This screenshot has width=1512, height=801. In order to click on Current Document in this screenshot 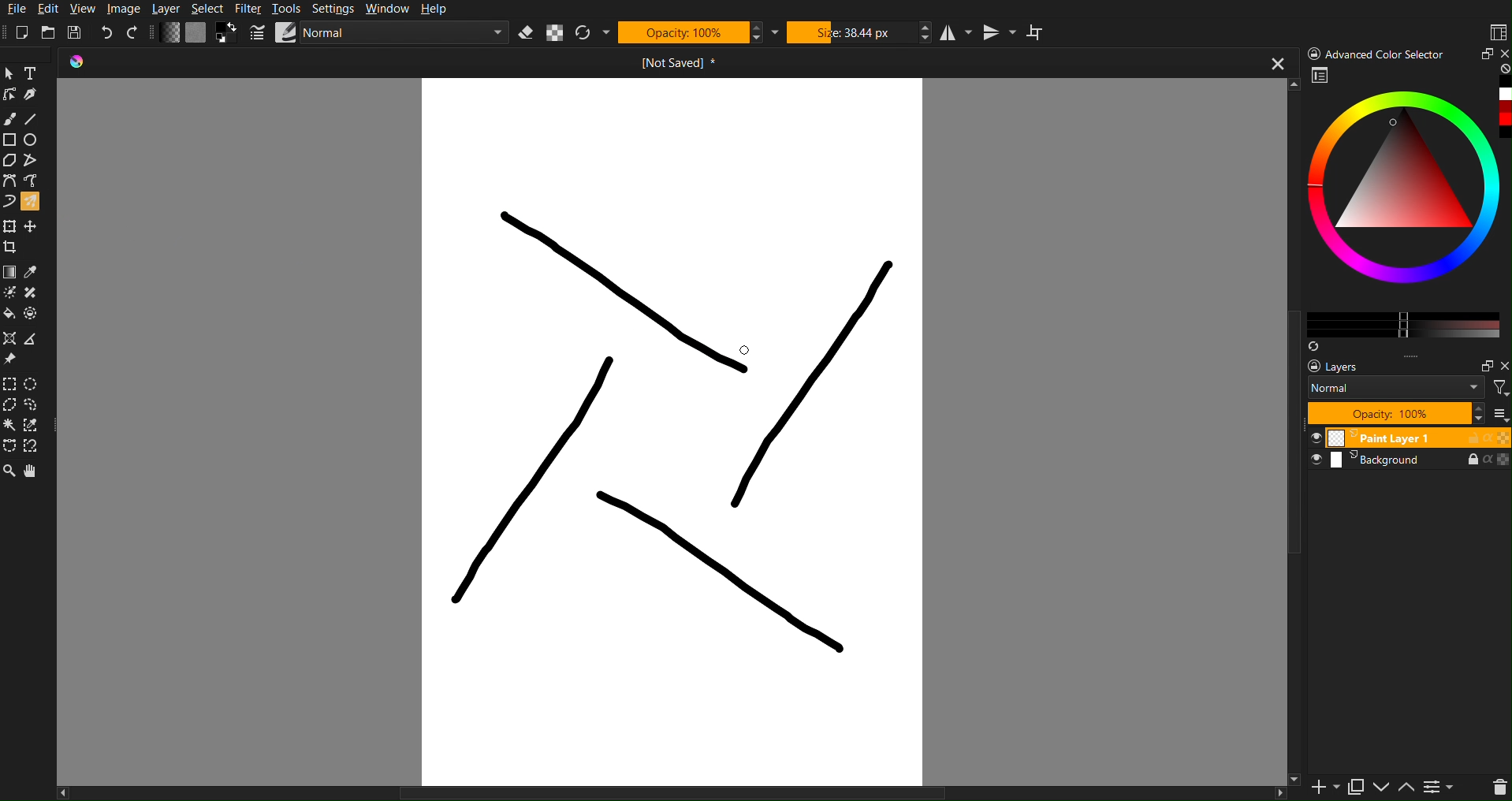, I will do `click(601, 64)`.